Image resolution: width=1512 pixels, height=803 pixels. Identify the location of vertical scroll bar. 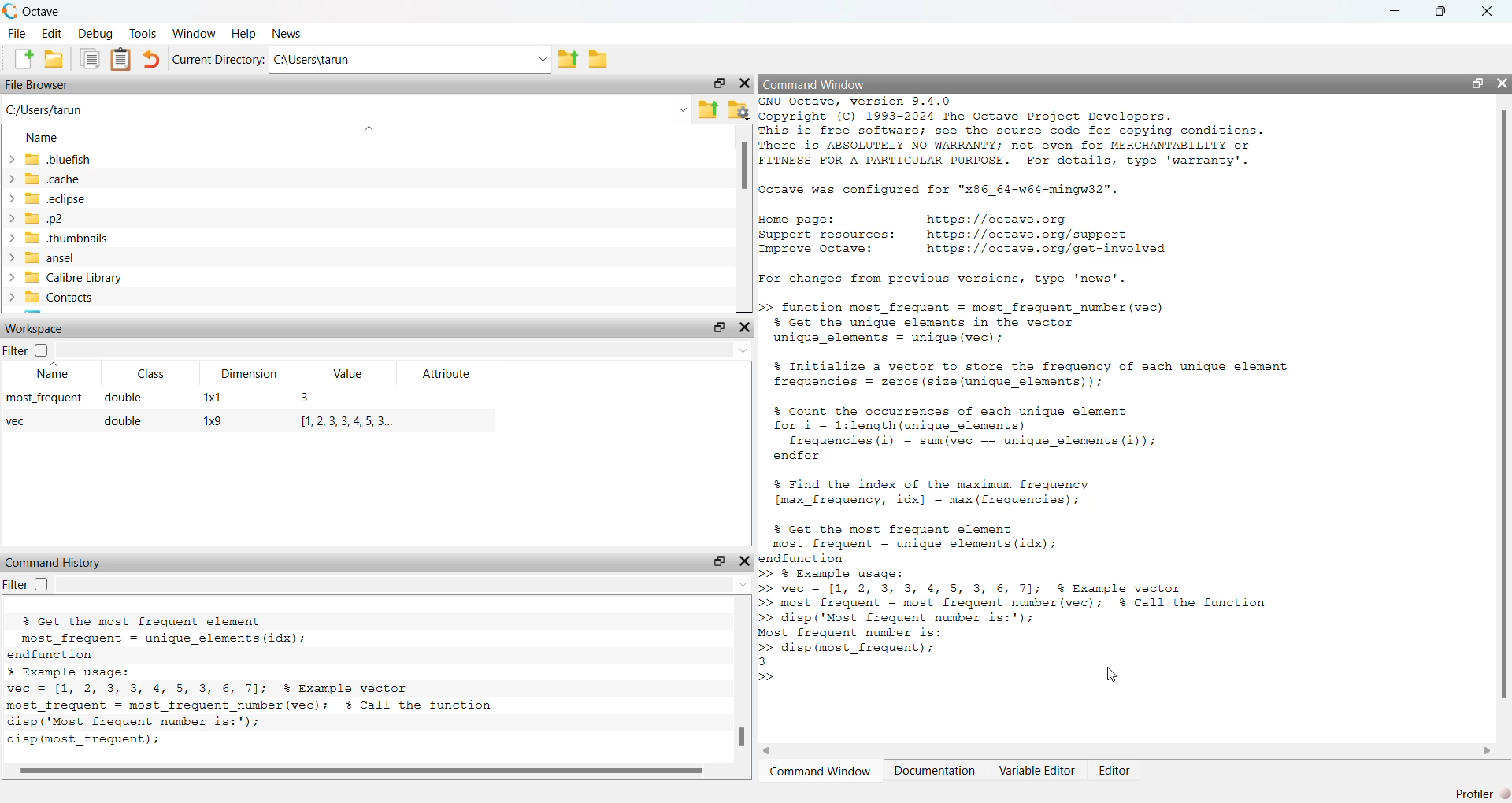
(742, 679).